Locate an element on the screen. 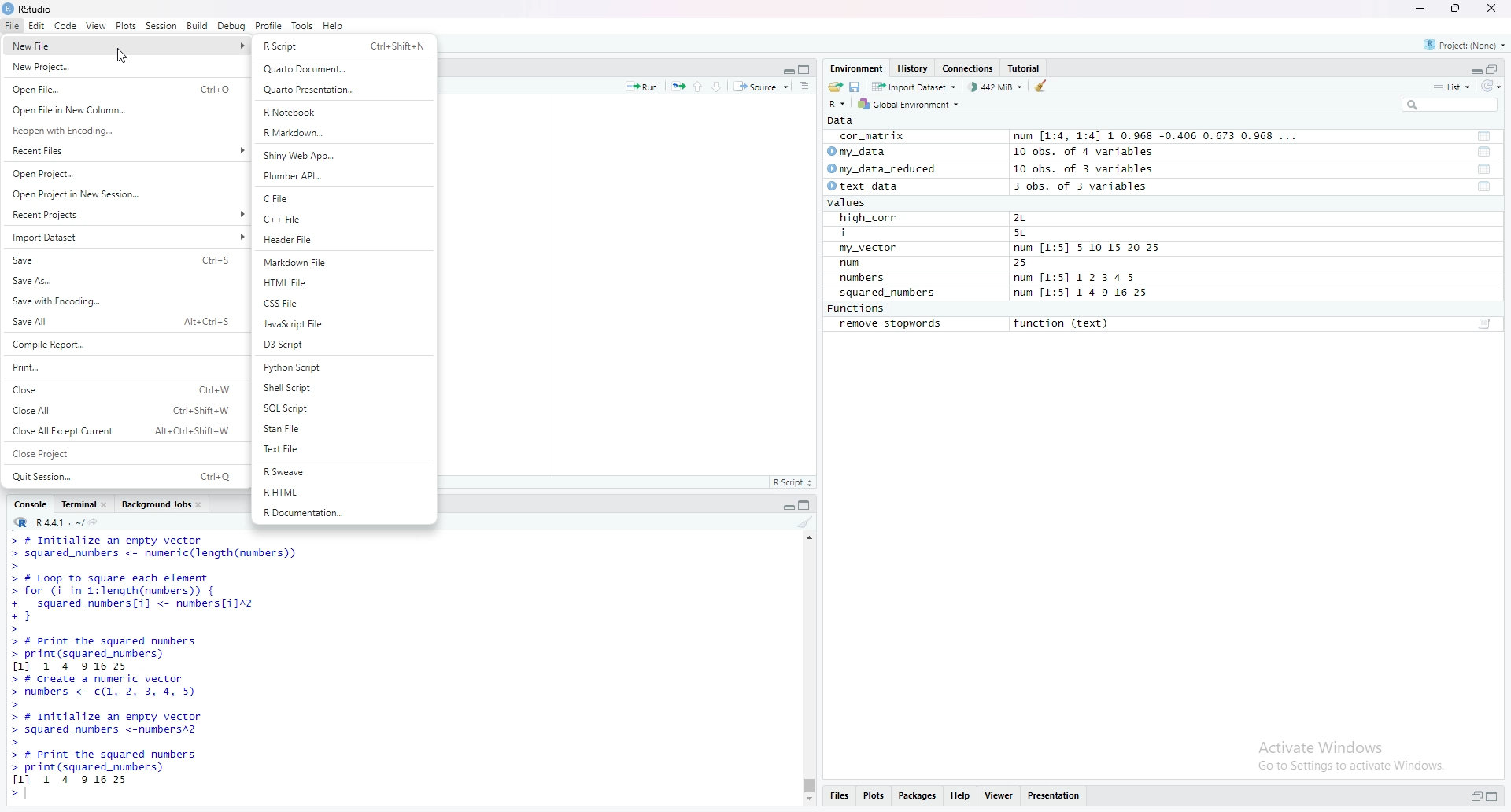  JavaScript File is located at coordinates (340, 324).